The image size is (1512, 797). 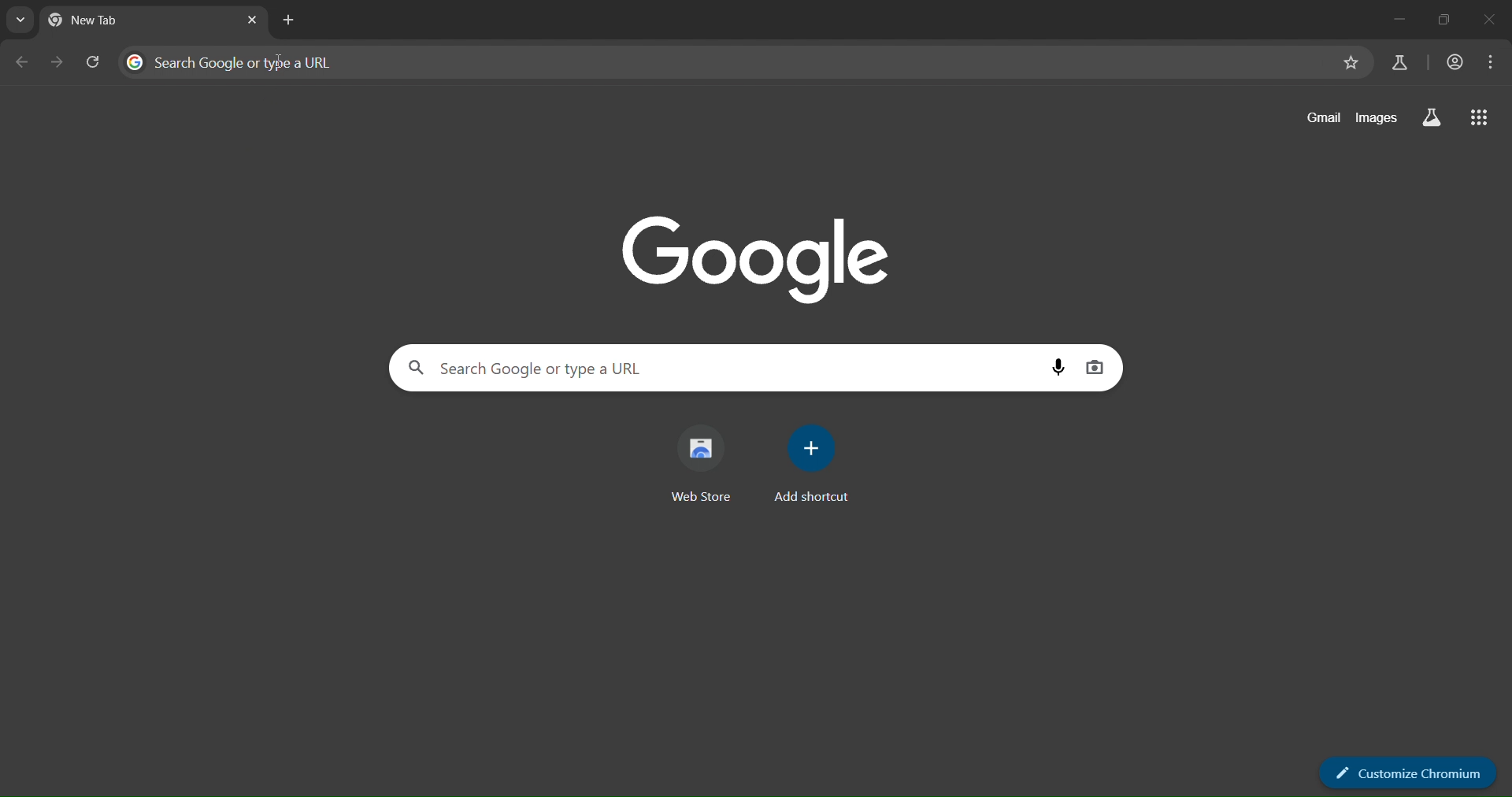 What do you see at coordinates (812, 465) in the screenshot?
I see `add shortcut` at bounding box center [812, 465].